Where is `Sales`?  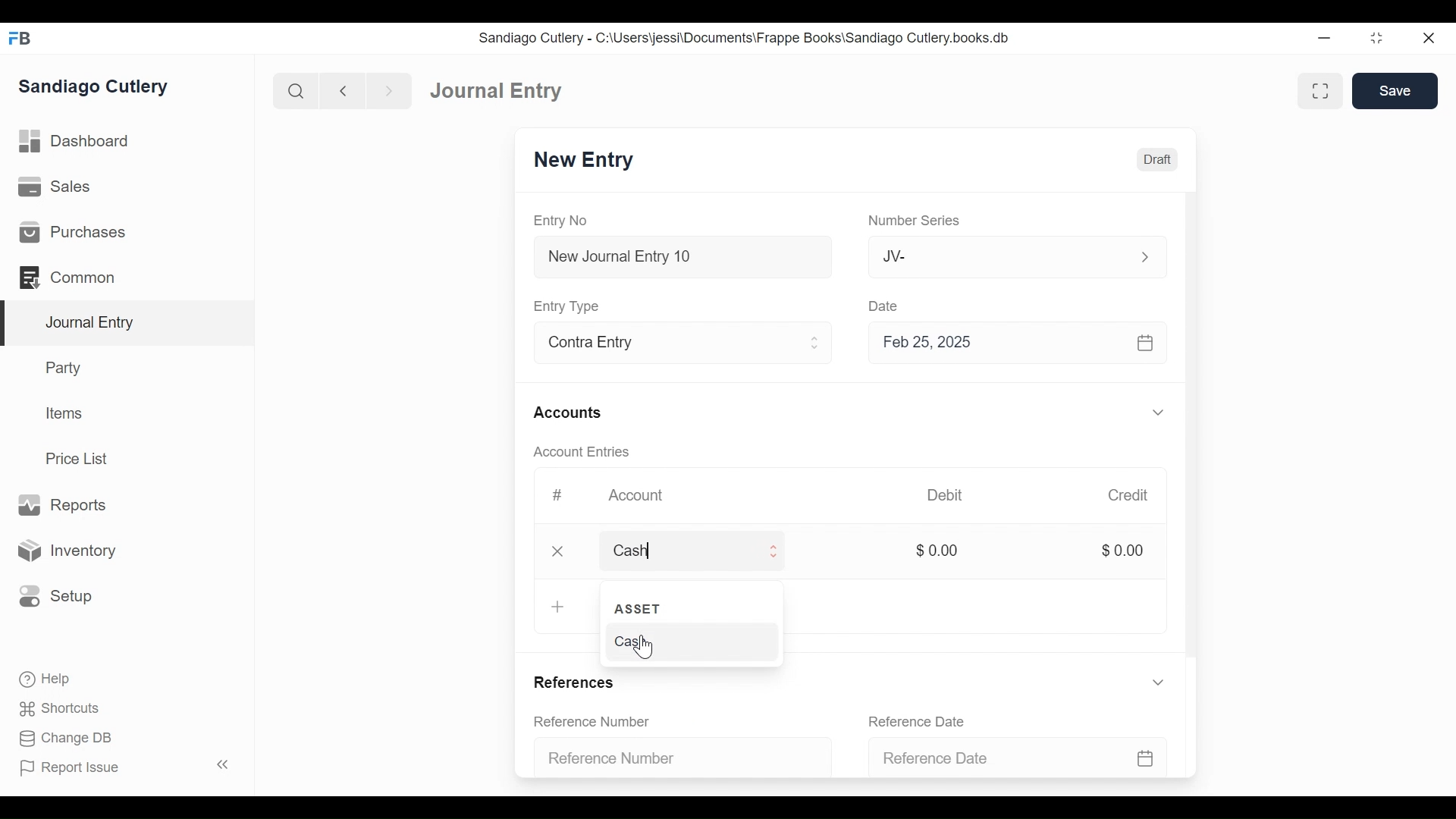
Sales is located at coordinates (53, 188).